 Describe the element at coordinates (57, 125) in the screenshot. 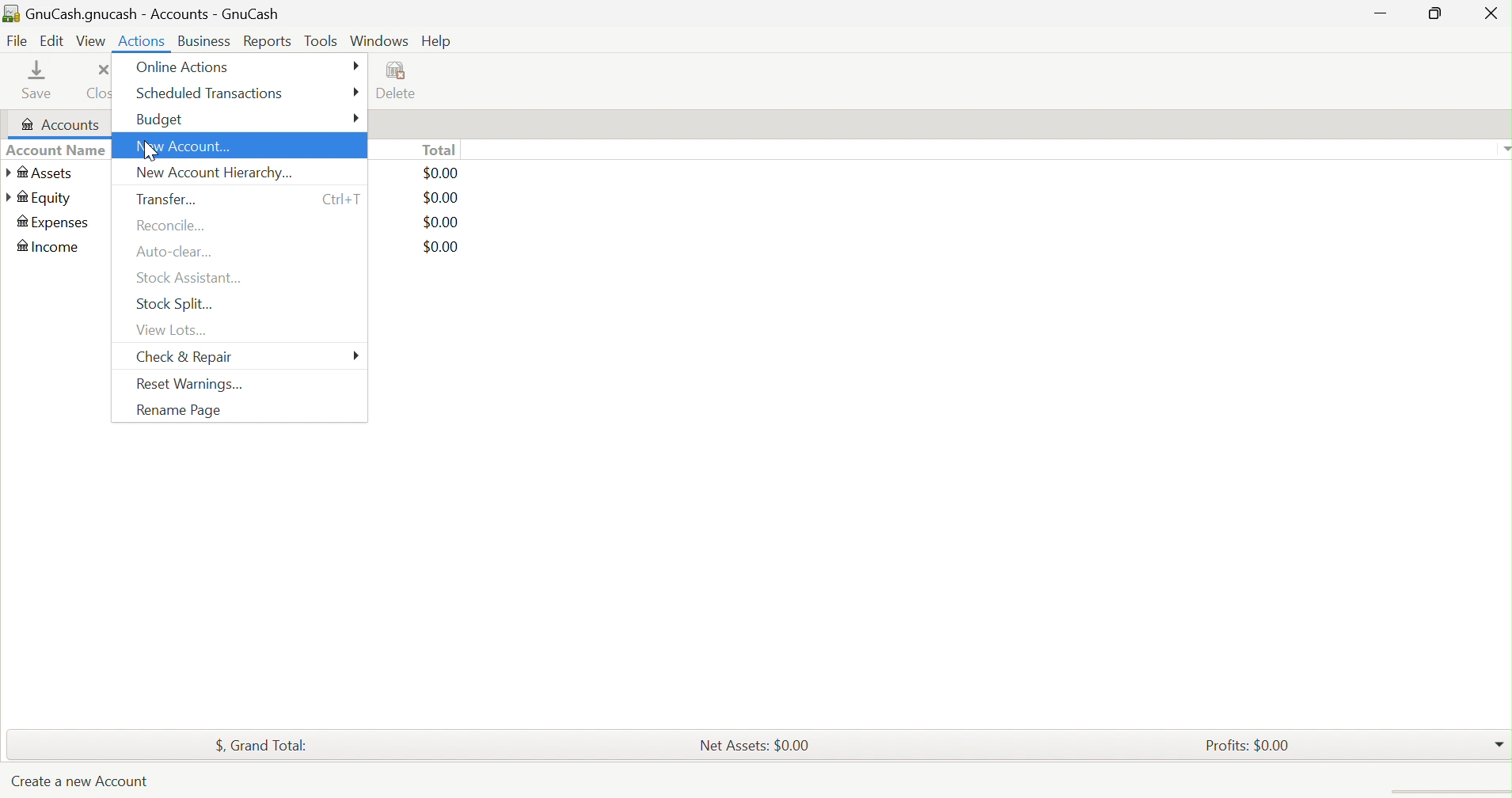

I see `Accounts` at that location.